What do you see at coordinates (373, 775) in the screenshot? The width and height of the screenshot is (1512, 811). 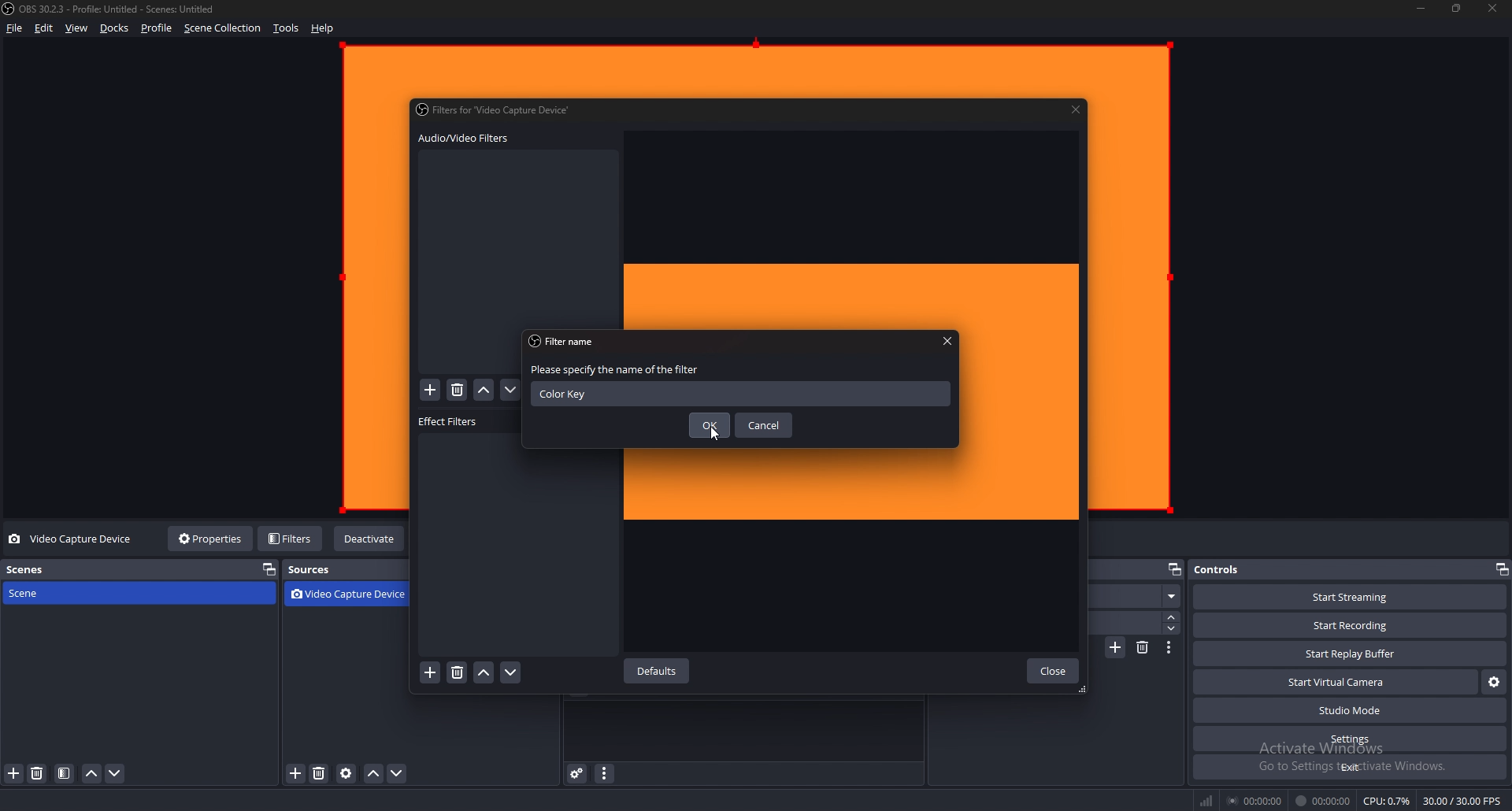 I see `move source up` at bounding box center [373, 775].